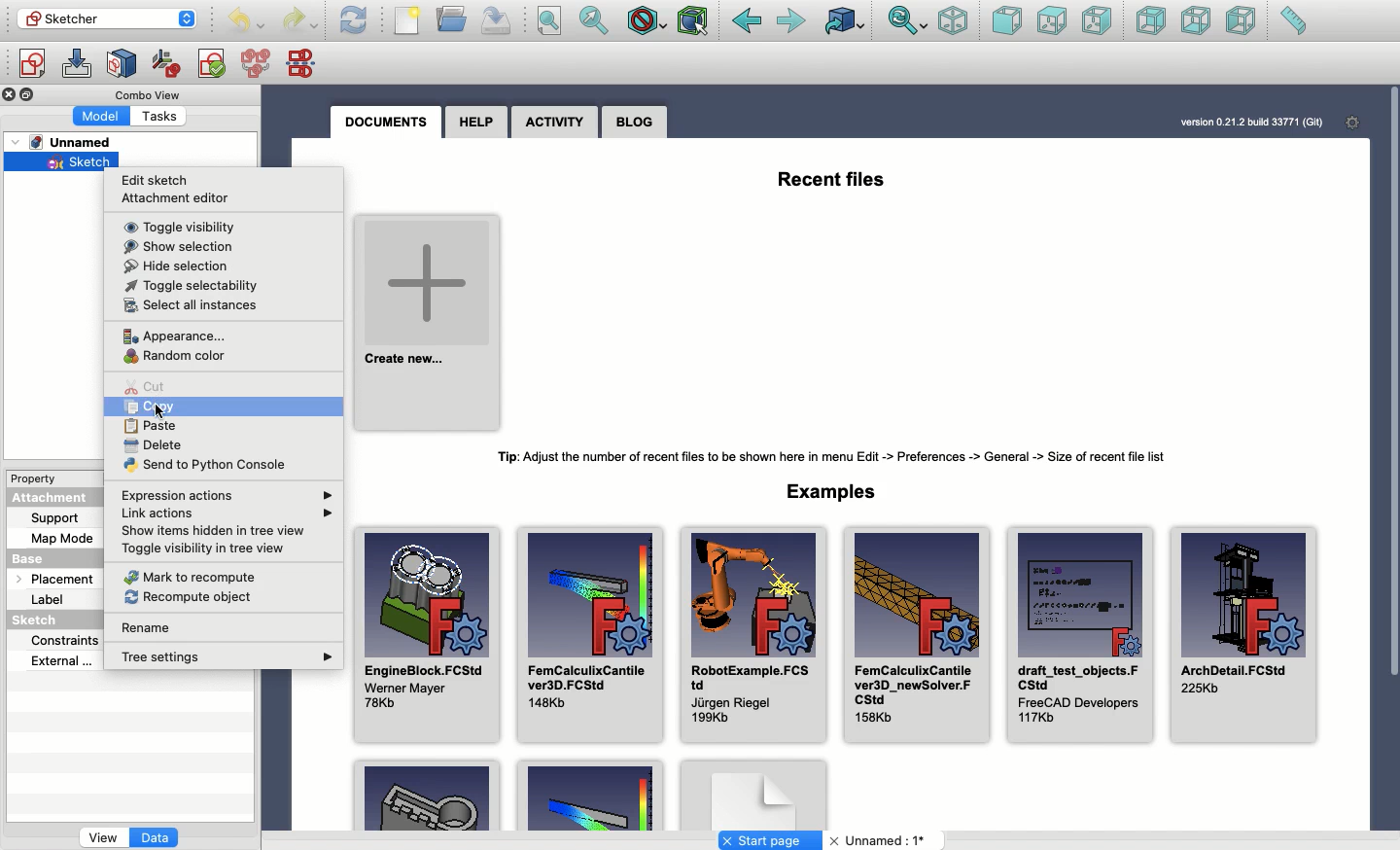 This screenshot has width=1400, height=850. Describe the element at coordinates (846, 20) in the screenshot. I see `Go to linked object` at that location.